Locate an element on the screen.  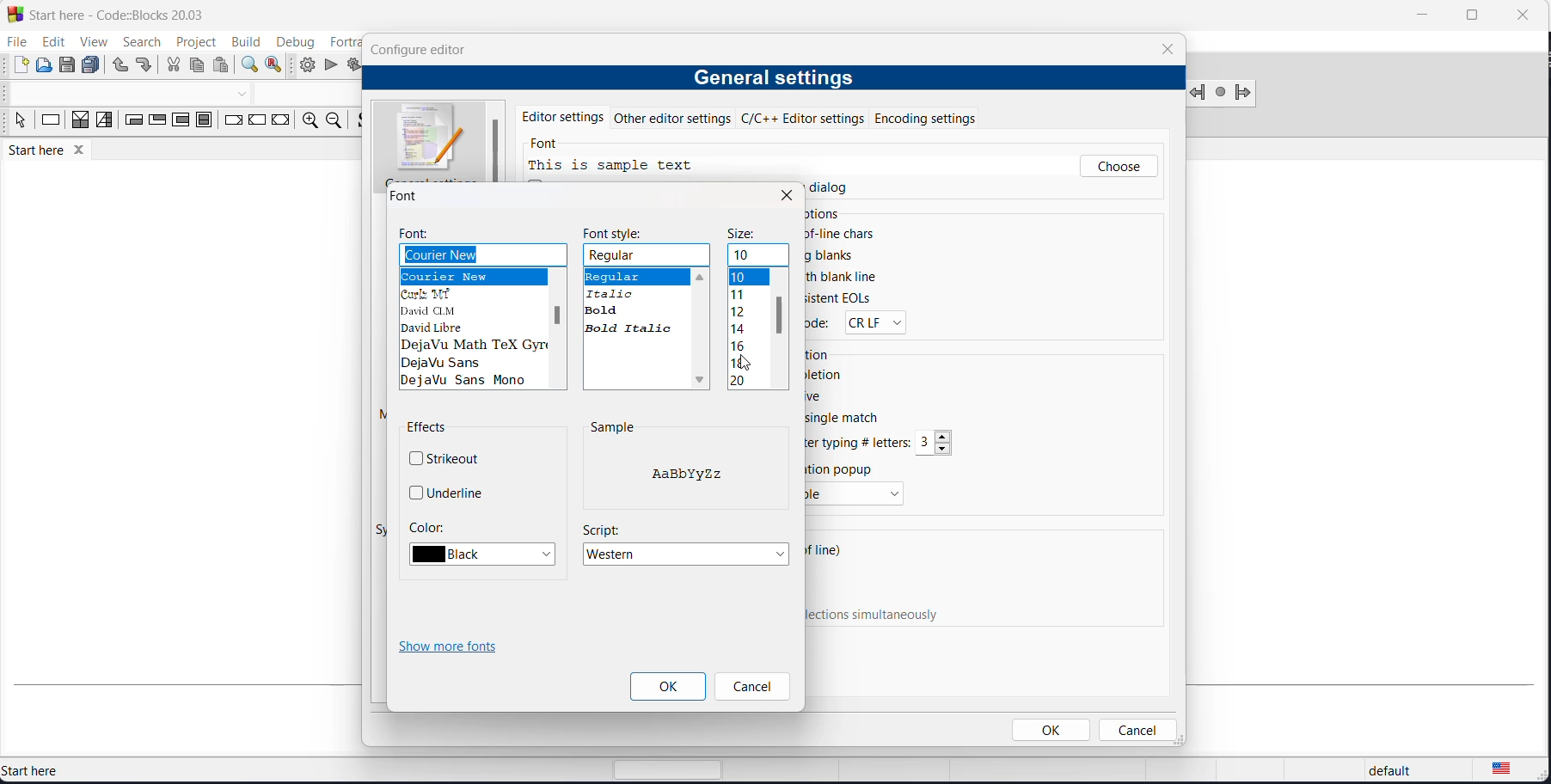
font style options is located at coordinates (636, 301).